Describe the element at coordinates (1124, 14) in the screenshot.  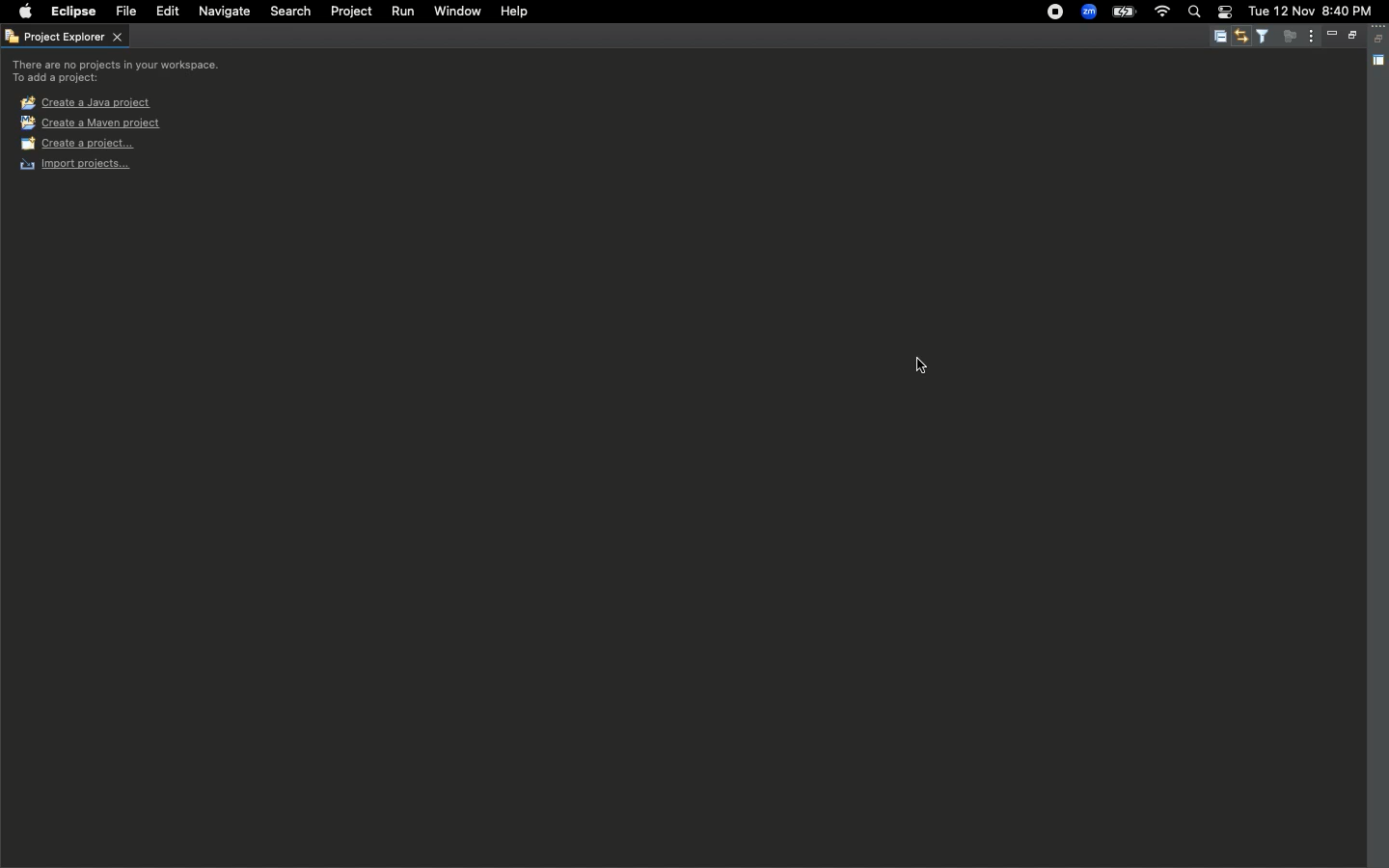
I see `Charge` at that location.